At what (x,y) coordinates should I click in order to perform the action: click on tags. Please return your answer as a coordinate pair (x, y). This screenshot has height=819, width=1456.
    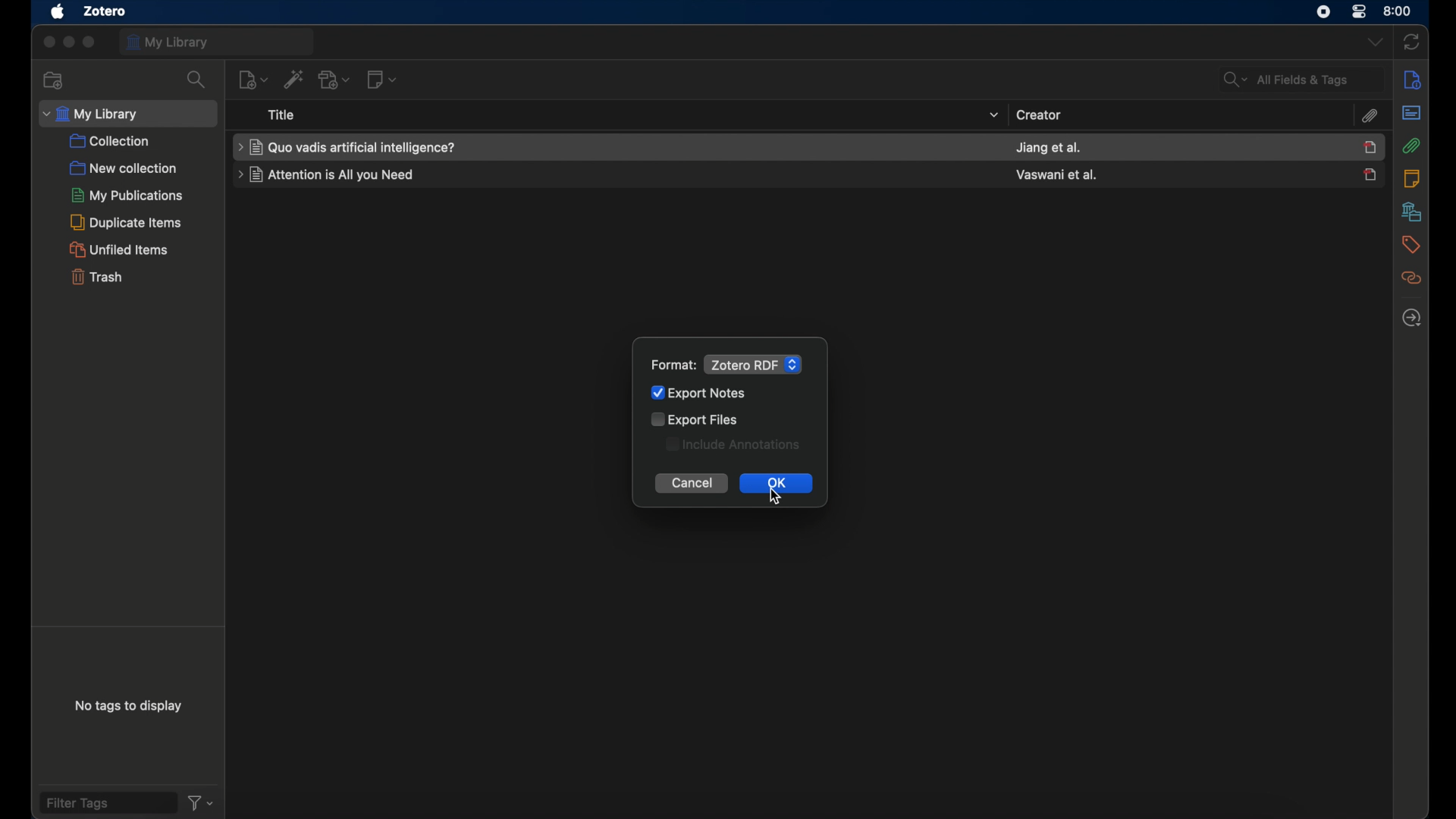
    Looking at the image, I should click on (1410, 245).